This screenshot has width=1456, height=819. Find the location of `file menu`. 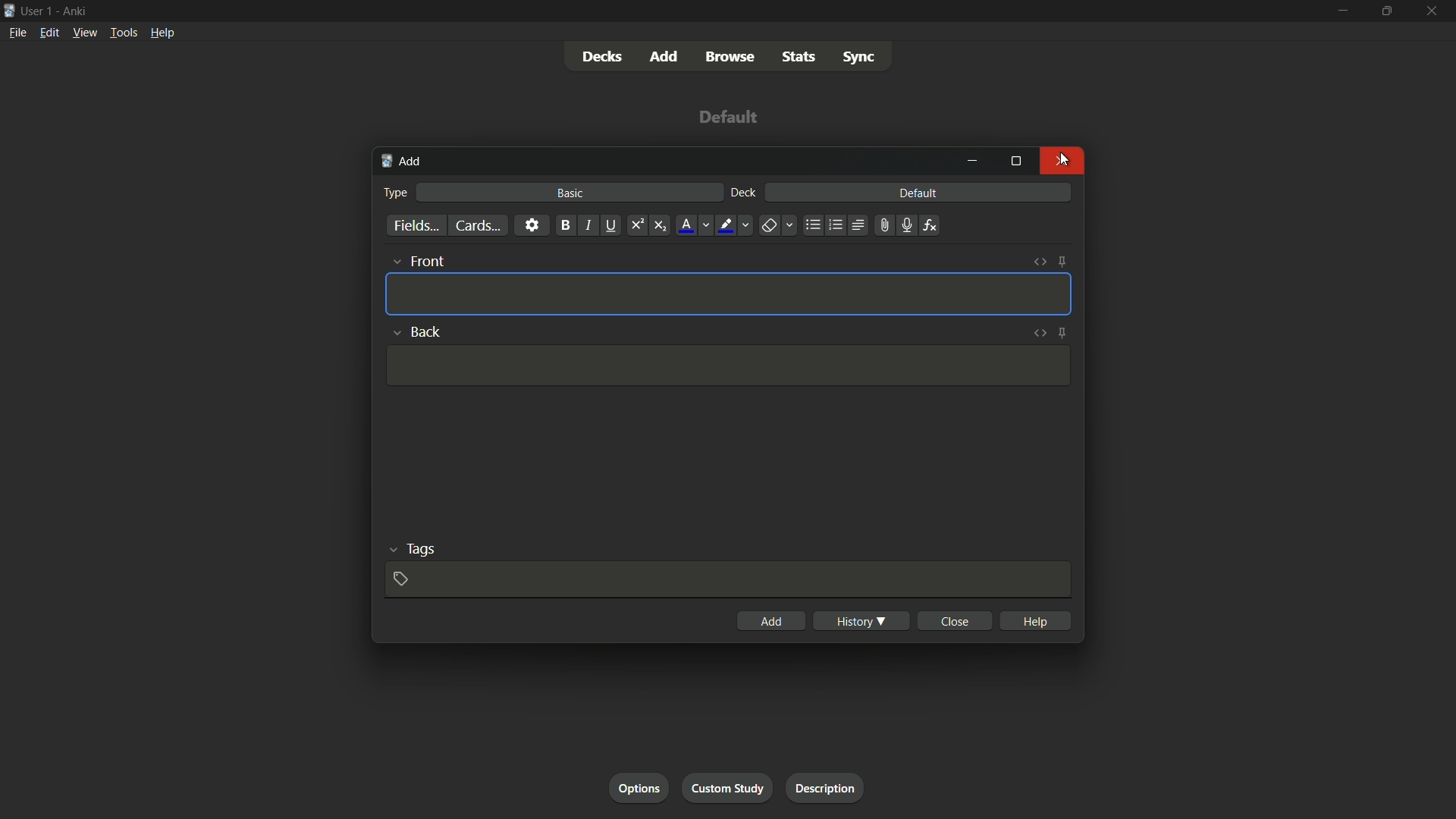

file menu is located at coordinates (16, 31).